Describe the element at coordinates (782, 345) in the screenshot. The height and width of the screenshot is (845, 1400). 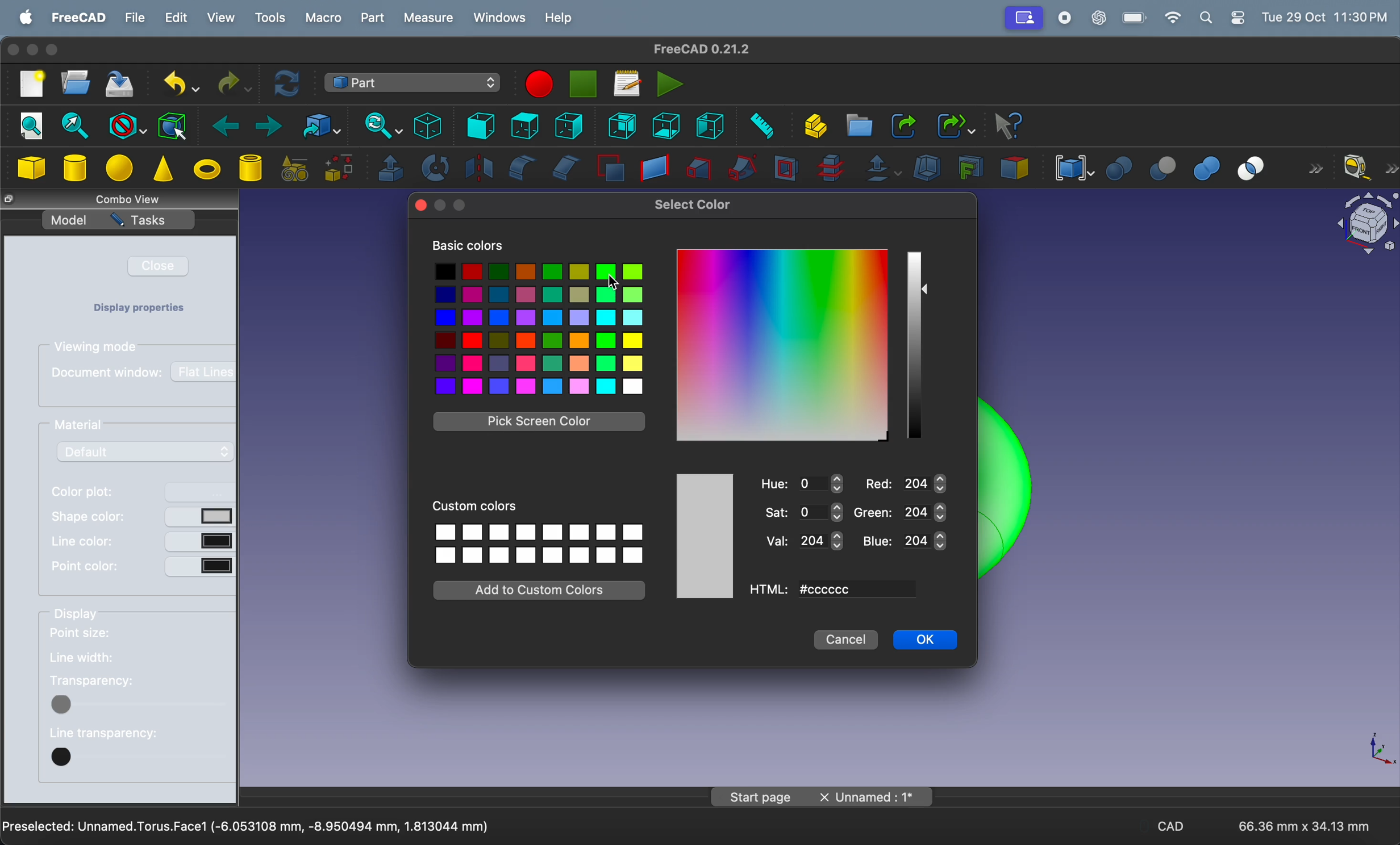
I see `colors` at that location.